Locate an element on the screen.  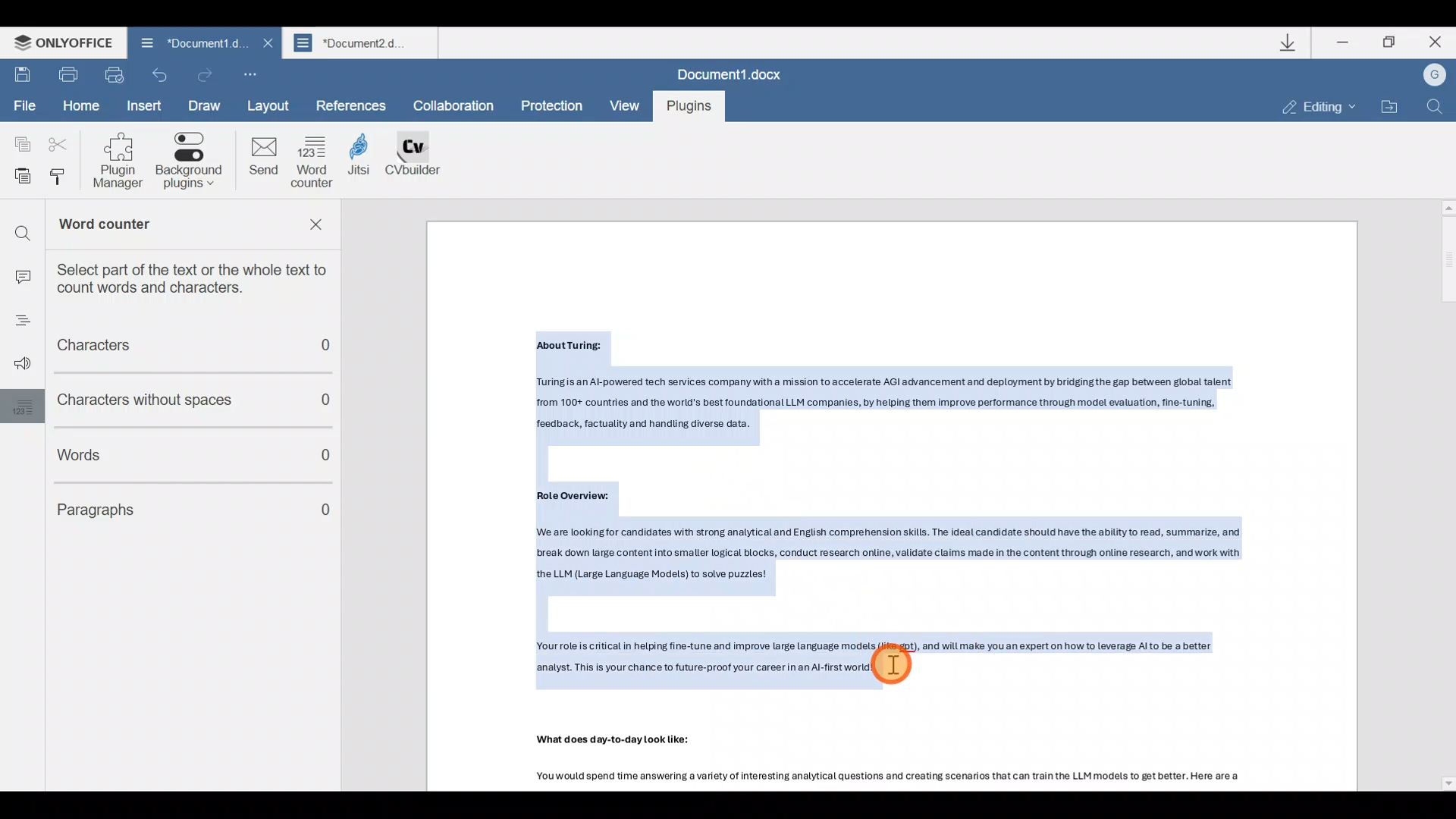
search is located at coordinates (22, 227).